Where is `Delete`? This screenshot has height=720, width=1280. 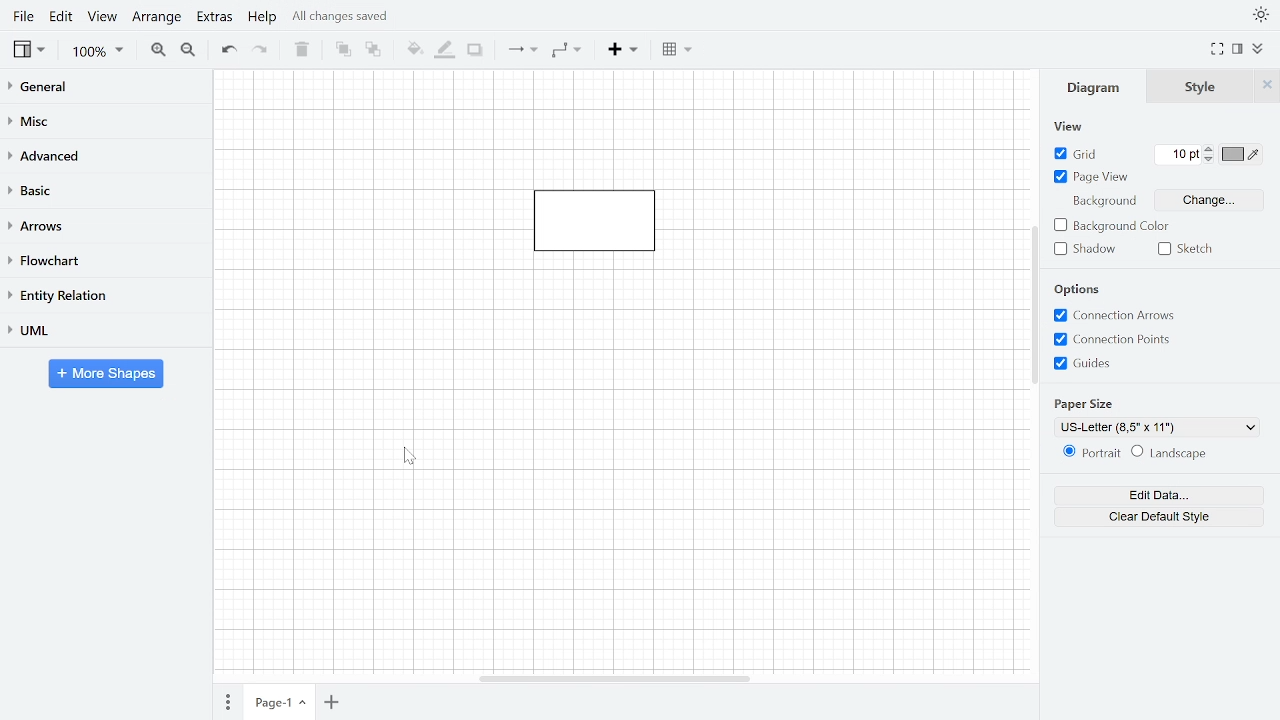 Delete is located at coordinates (302, 50).